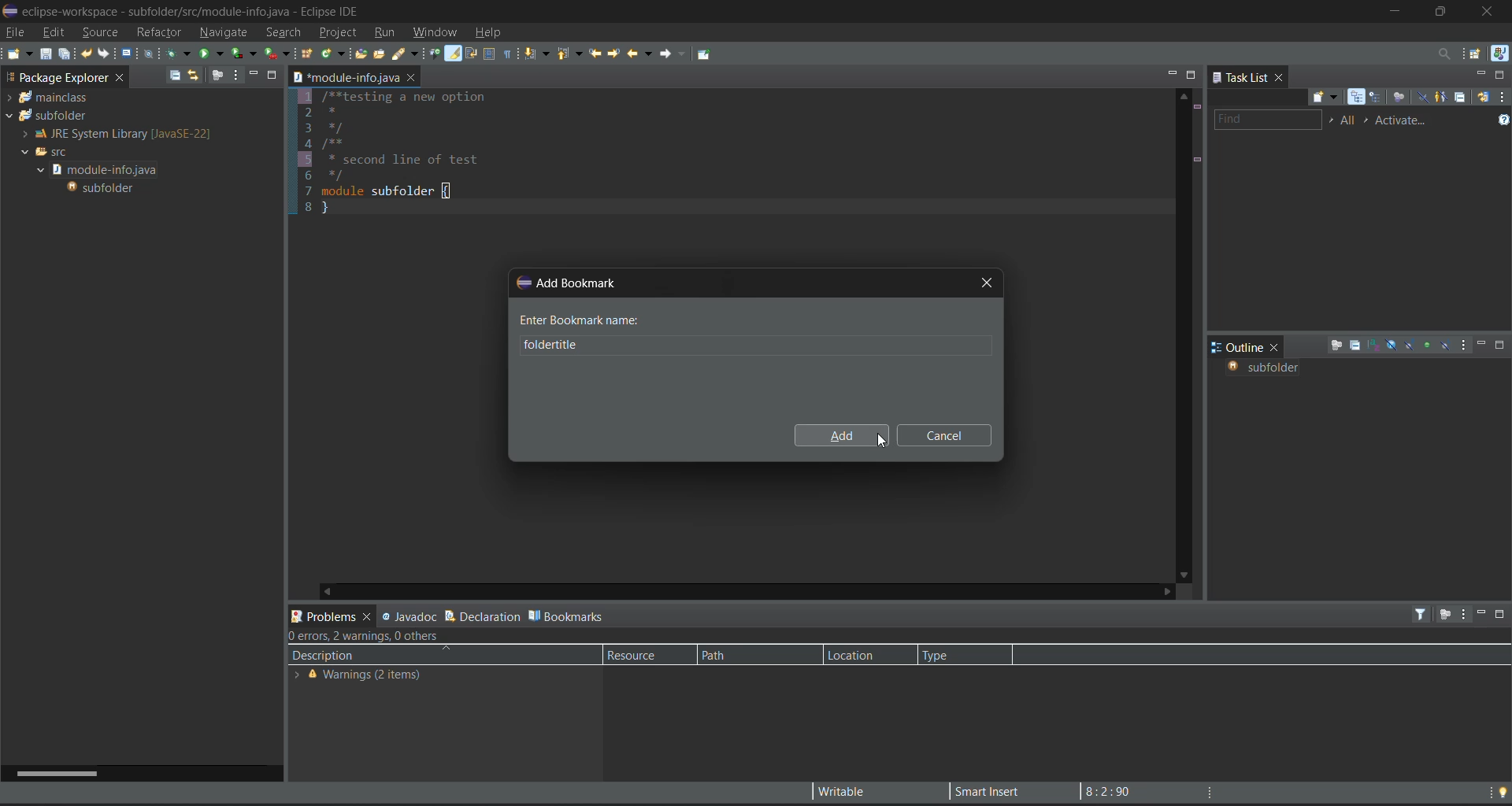 The height and width of the screenshot is (806, 1512). I want to click on close, so click(1278, 347).